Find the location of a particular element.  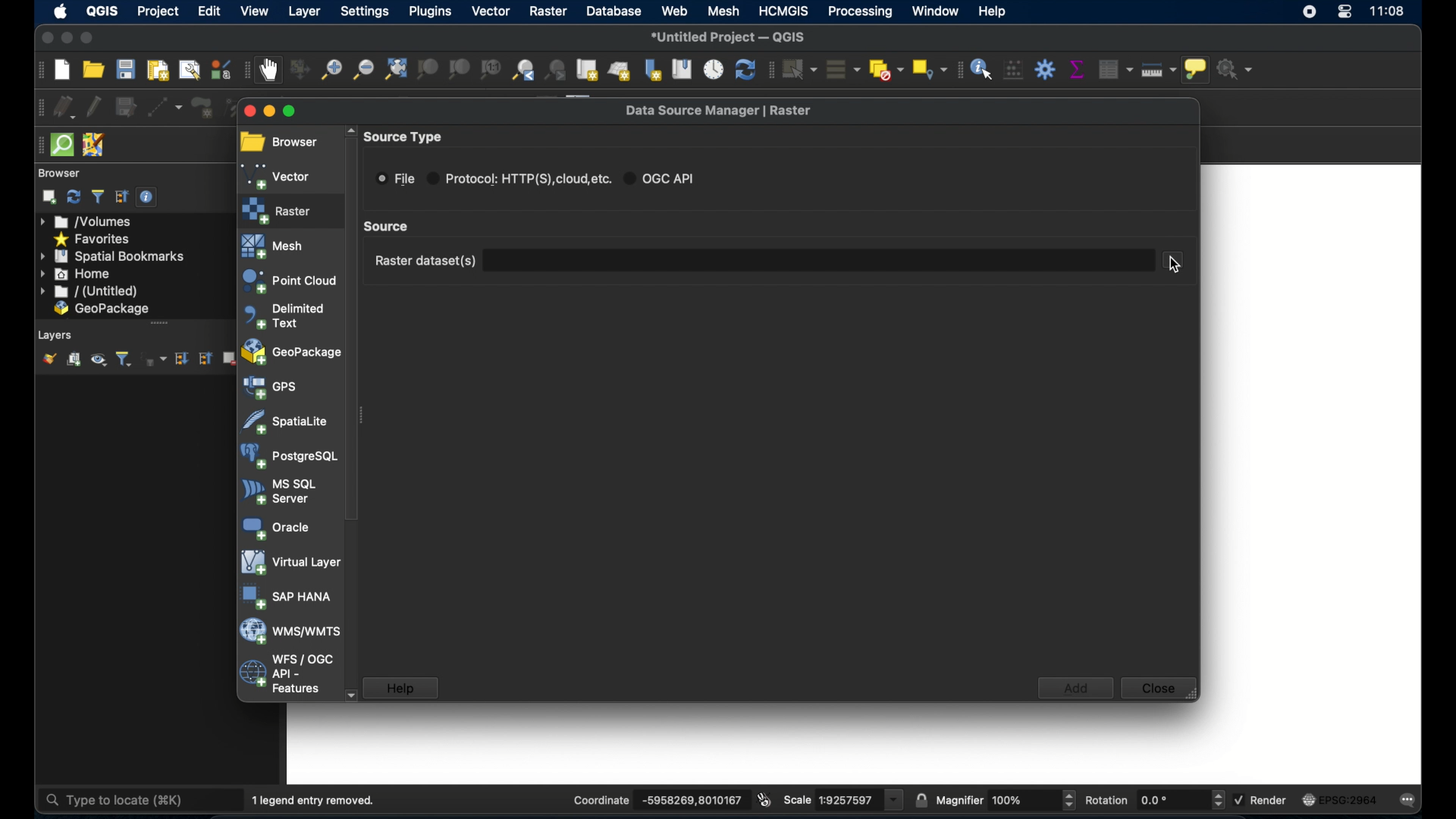

open layer styling panel is located at coordinates (49, 358).